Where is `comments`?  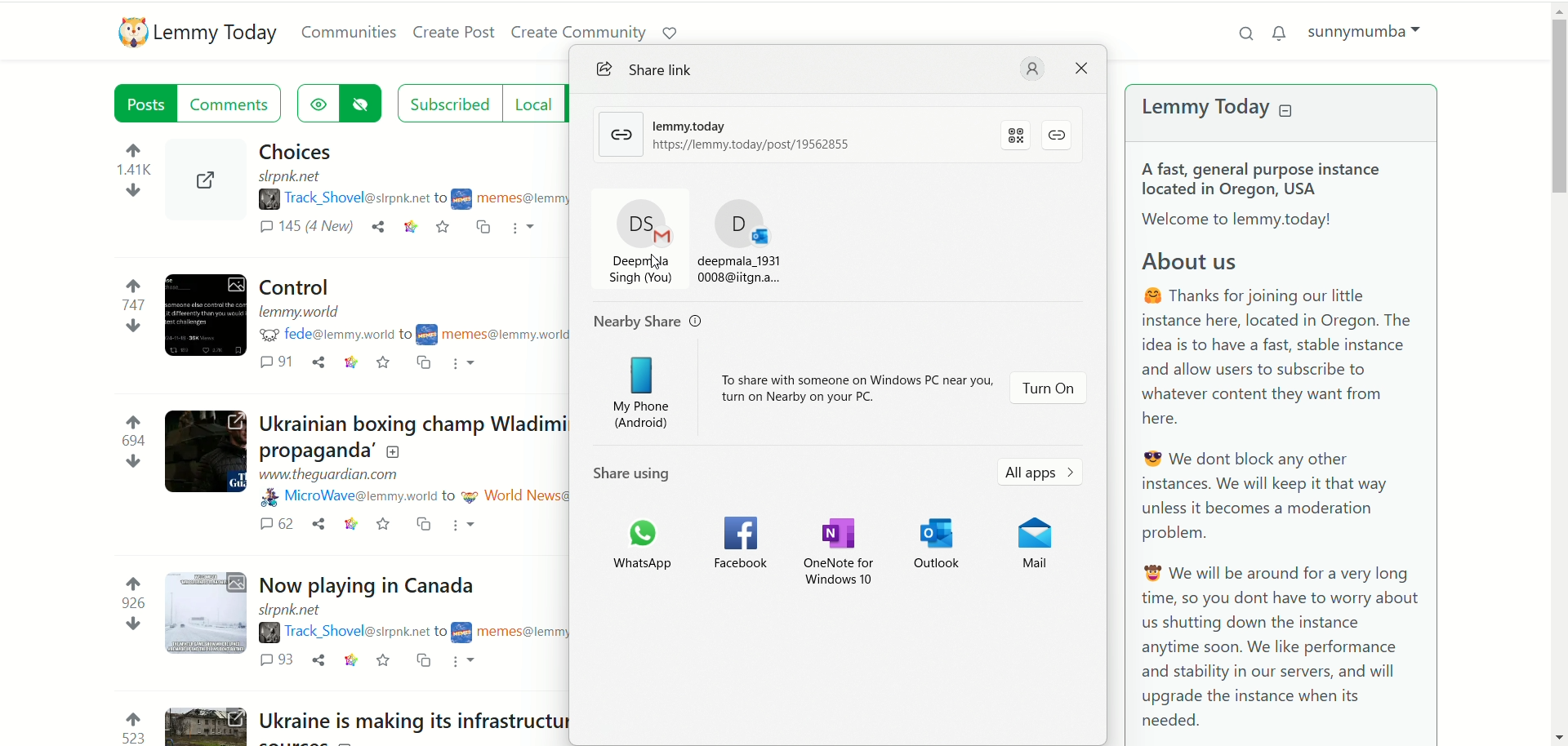
comments is located at coordinates (303, 229).